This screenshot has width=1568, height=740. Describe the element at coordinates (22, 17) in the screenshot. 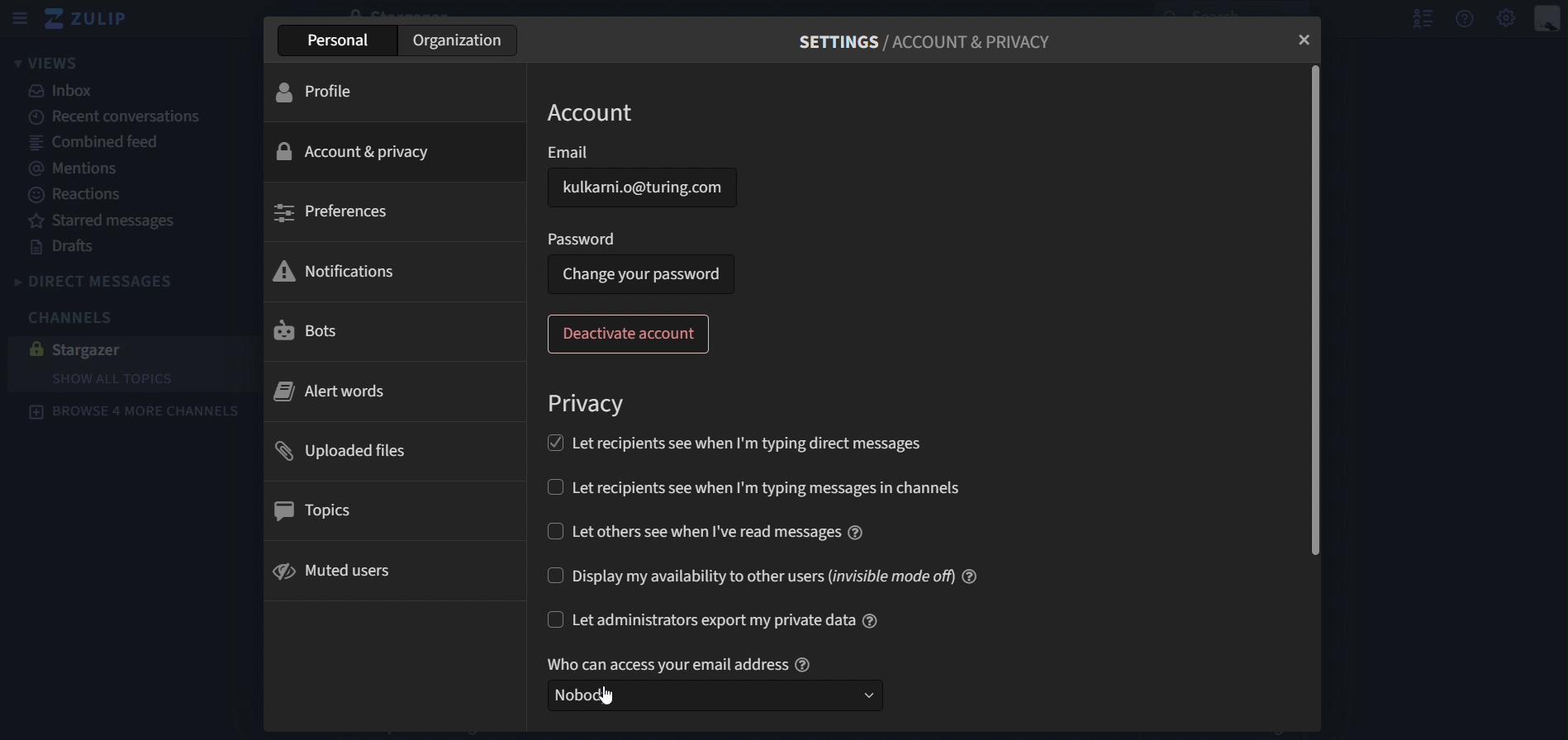

I see `sidebar` at that location.